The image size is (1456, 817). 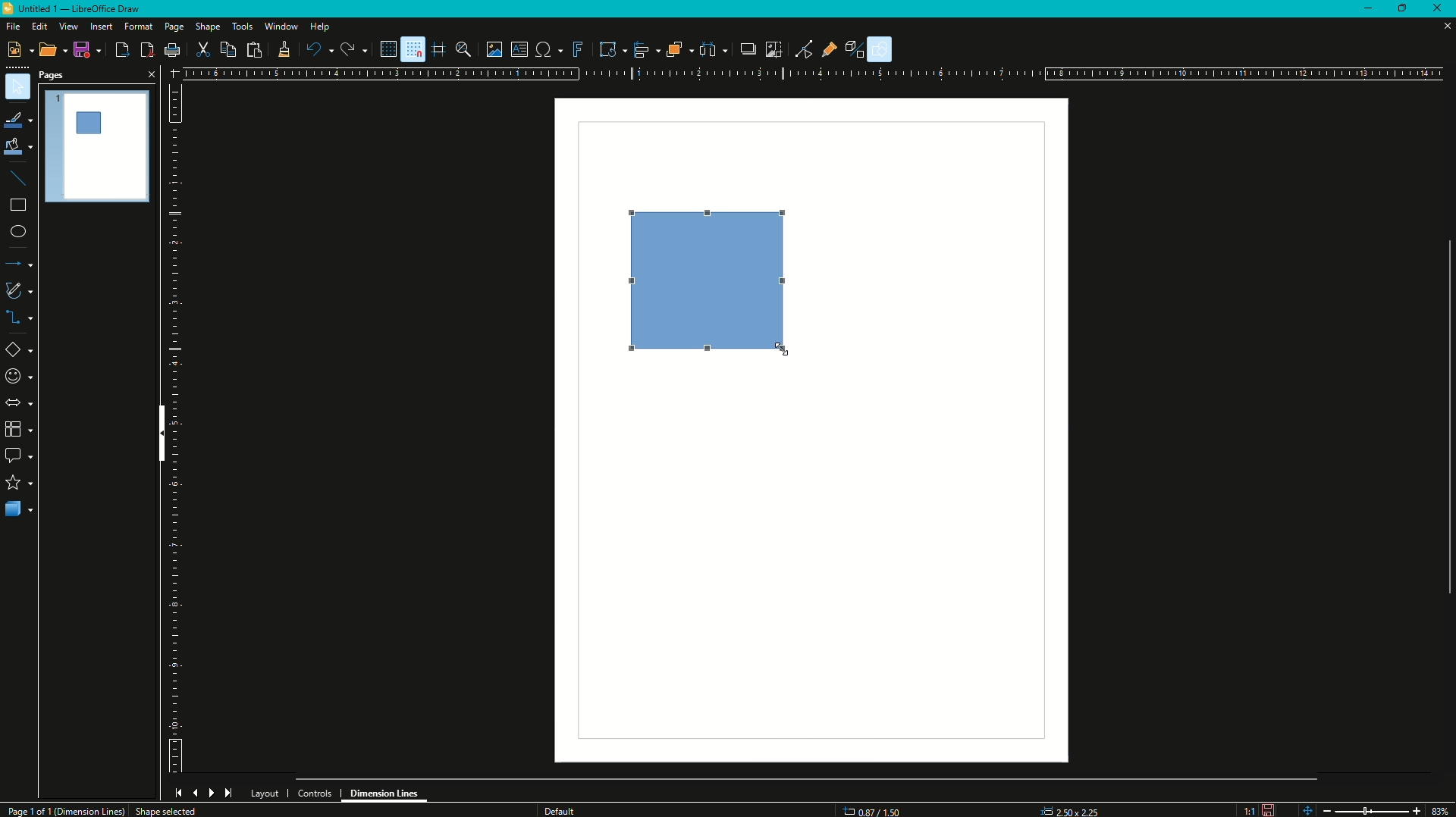 I want to click on Show Gluepoint Function, so click(x=833, y=50).